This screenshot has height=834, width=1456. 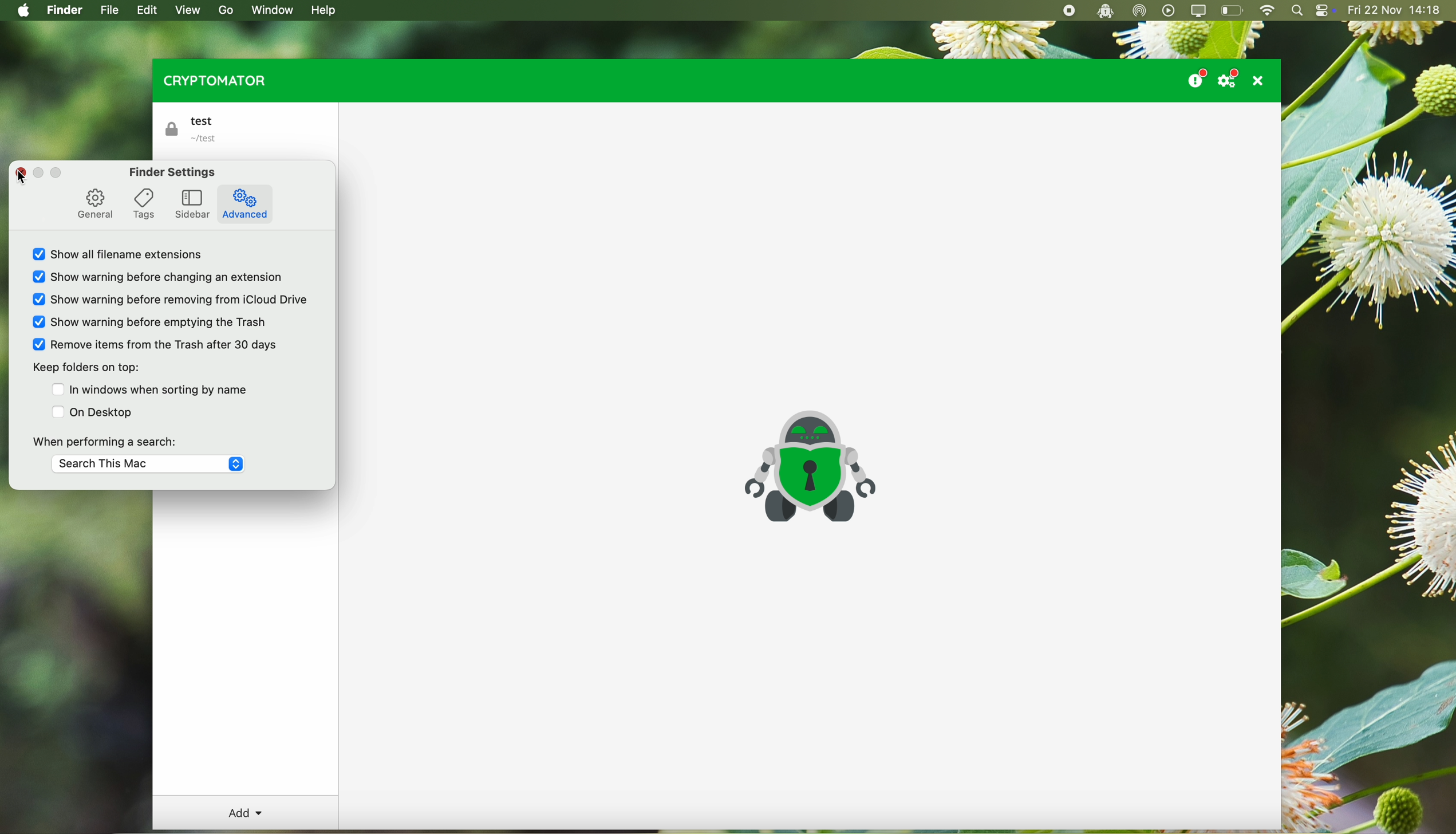 I want to click on Show warning before removing from iCloud Drive, so click(x=170, y=300).